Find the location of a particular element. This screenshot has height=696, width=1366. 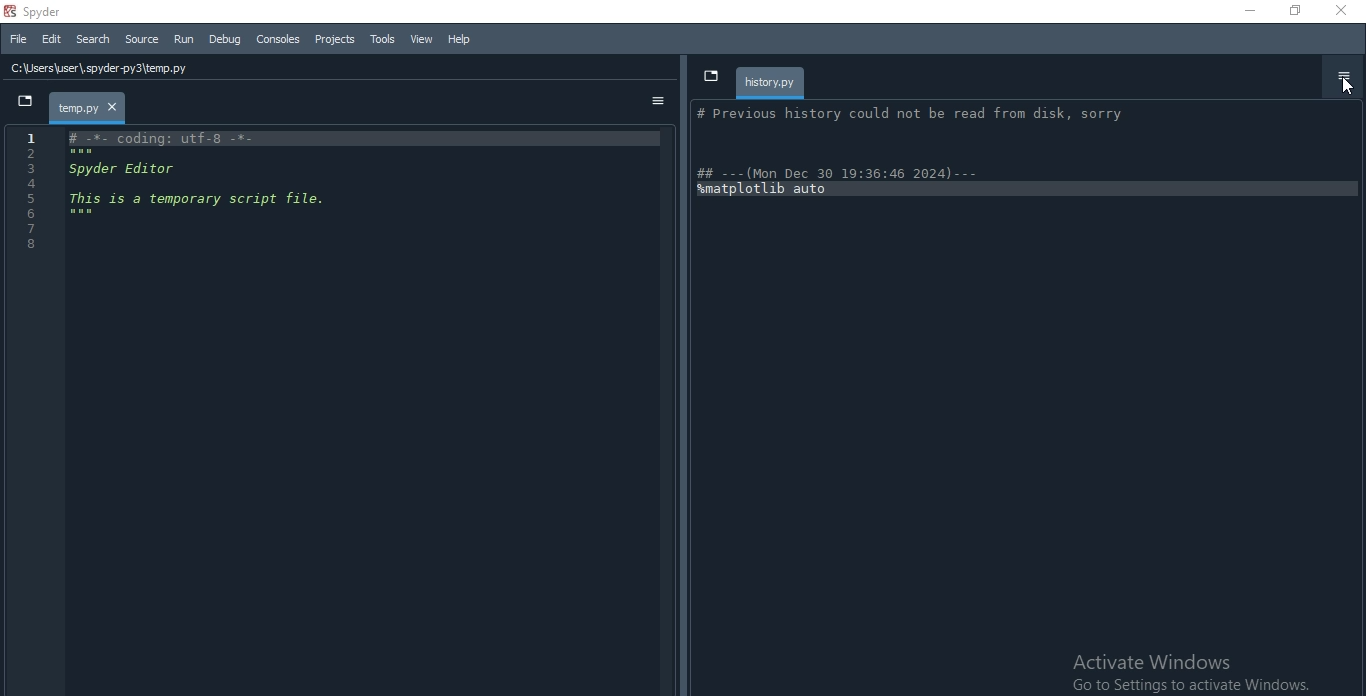

history.py is located at coordinates (771, 80).